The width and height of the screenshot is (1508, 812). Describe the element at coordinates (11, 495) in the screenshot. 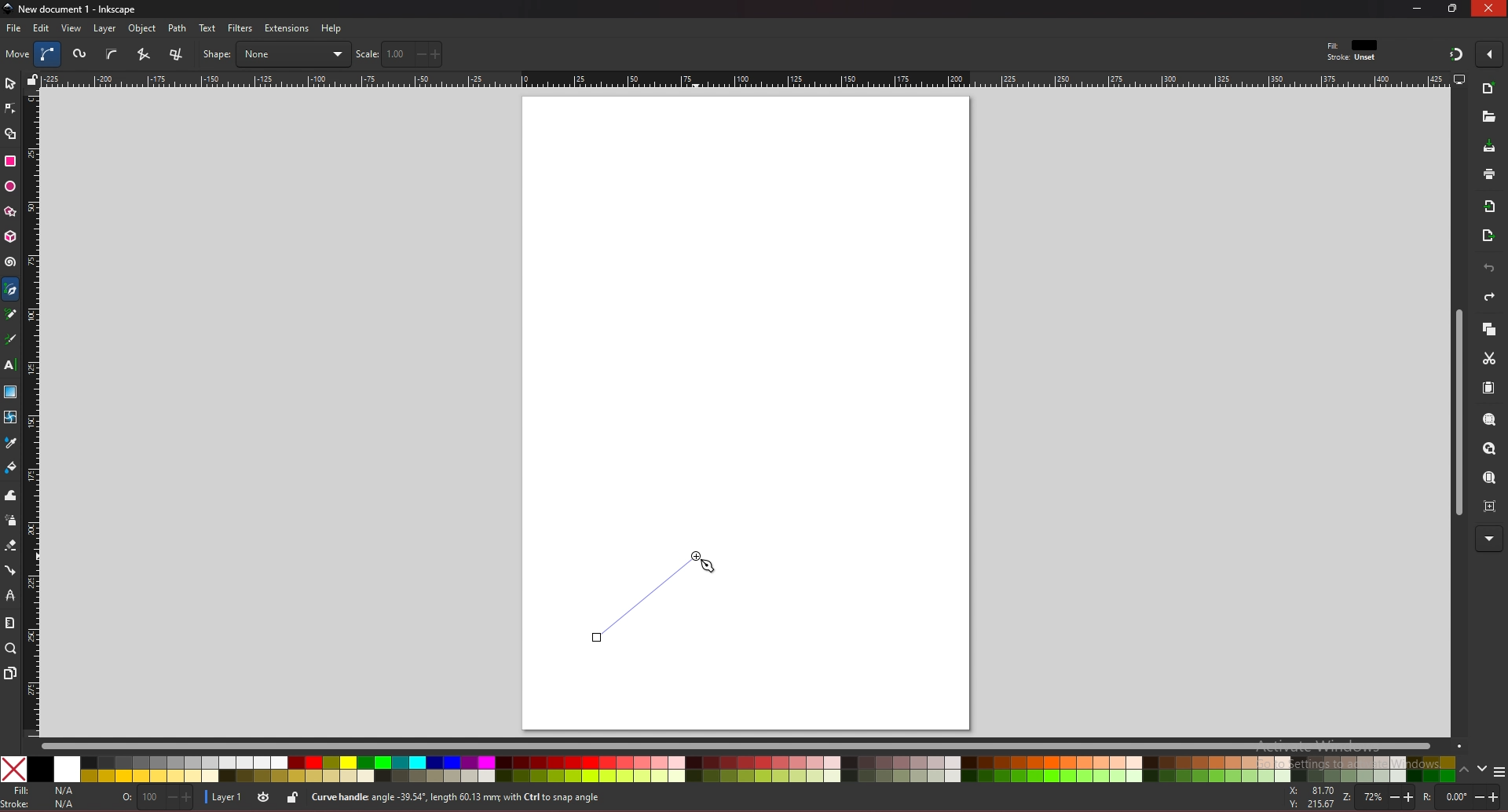

I see `tweak` at that location.